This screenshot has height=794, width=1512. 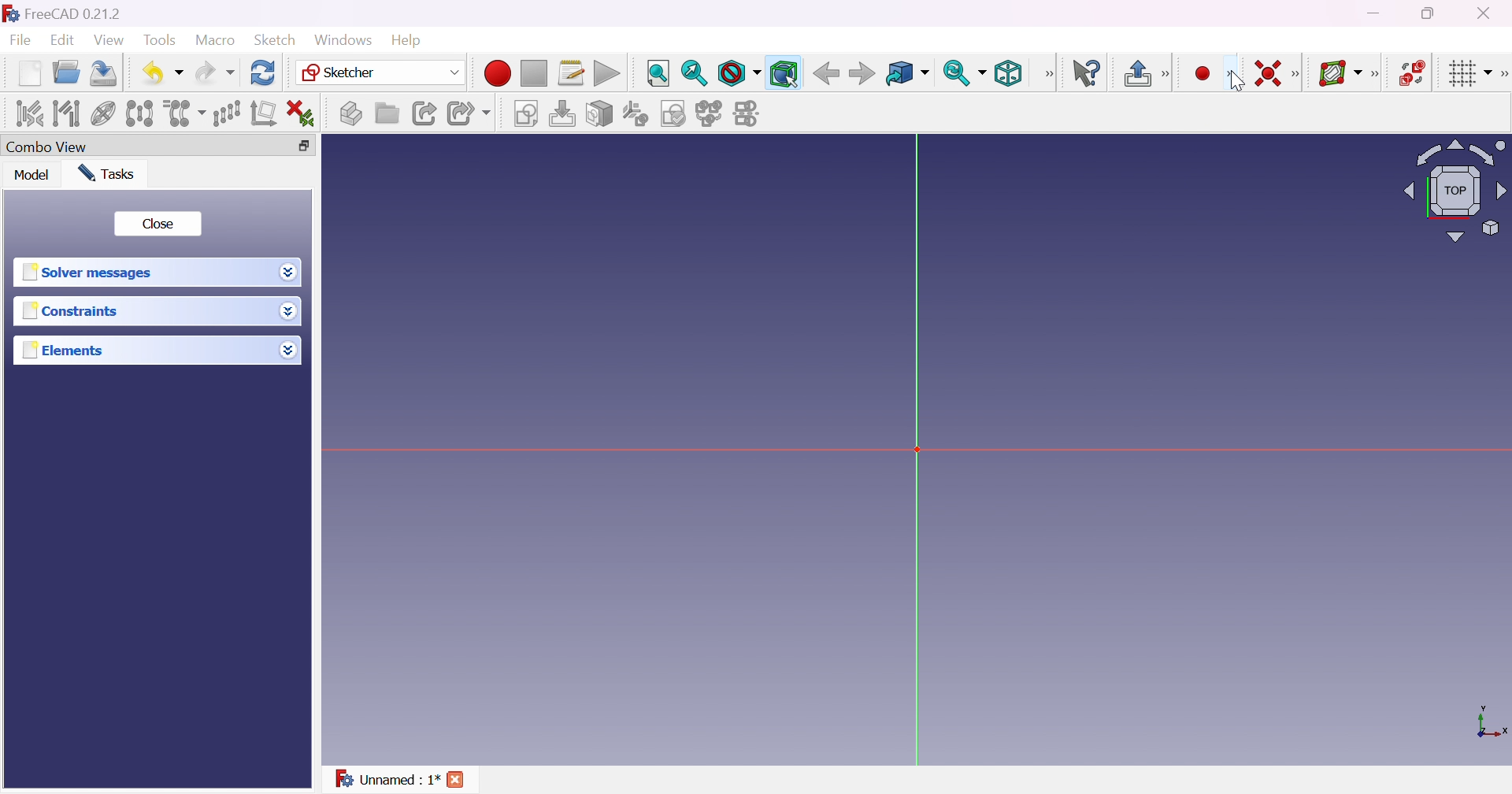 What do you see at coordinates (964, 75) in the screenshot?
I see `Sync view` at bounding box center [964, 75].